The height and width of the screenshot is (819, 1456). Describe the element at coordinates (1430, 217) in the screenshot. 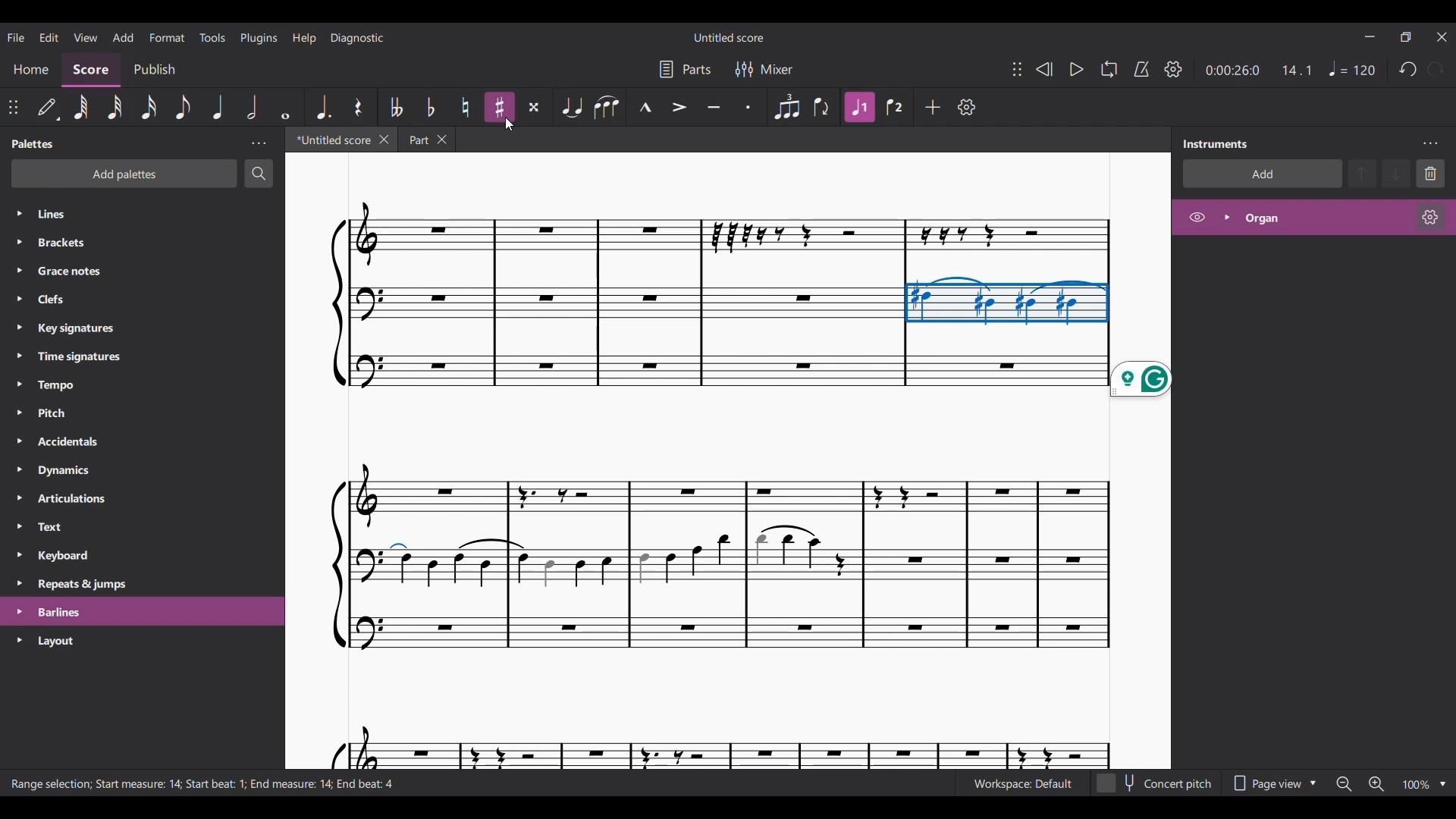

I see `Organ settings` at that location.